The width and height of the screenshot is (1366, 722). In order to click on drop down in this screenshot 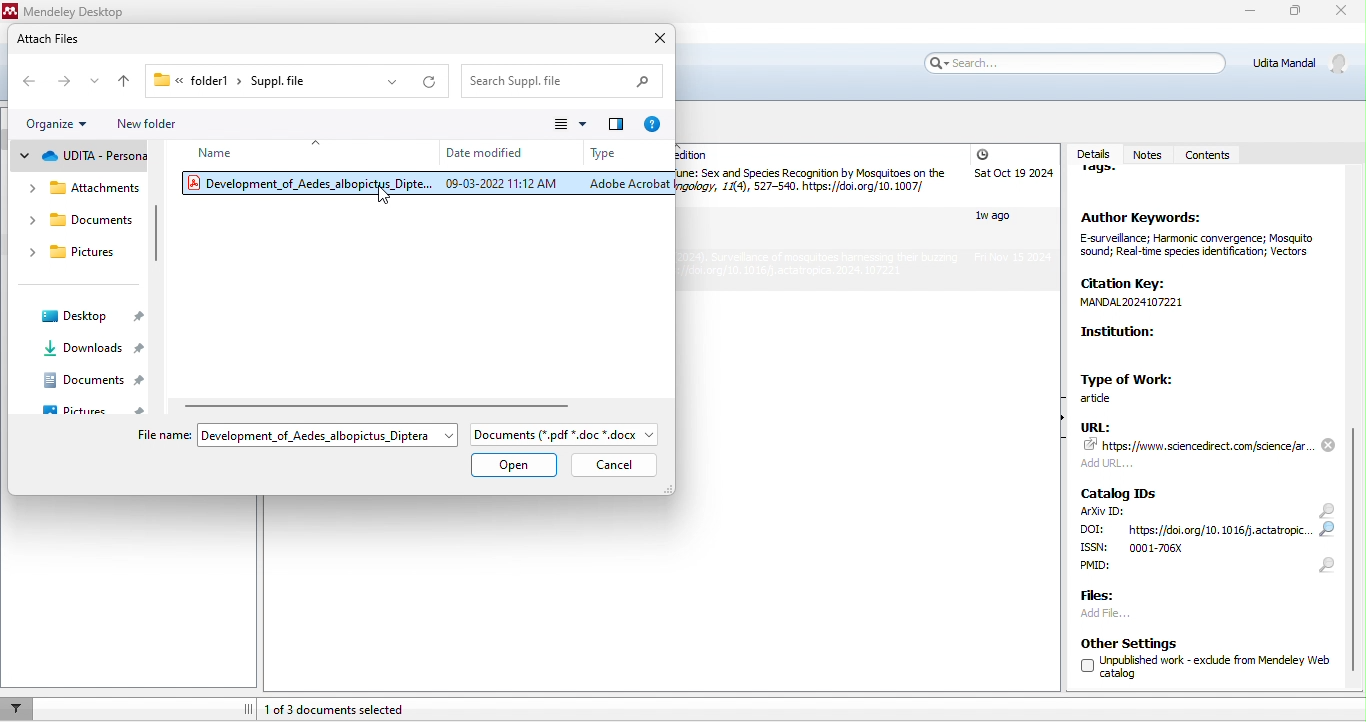, I will do `click(450, 436)`.